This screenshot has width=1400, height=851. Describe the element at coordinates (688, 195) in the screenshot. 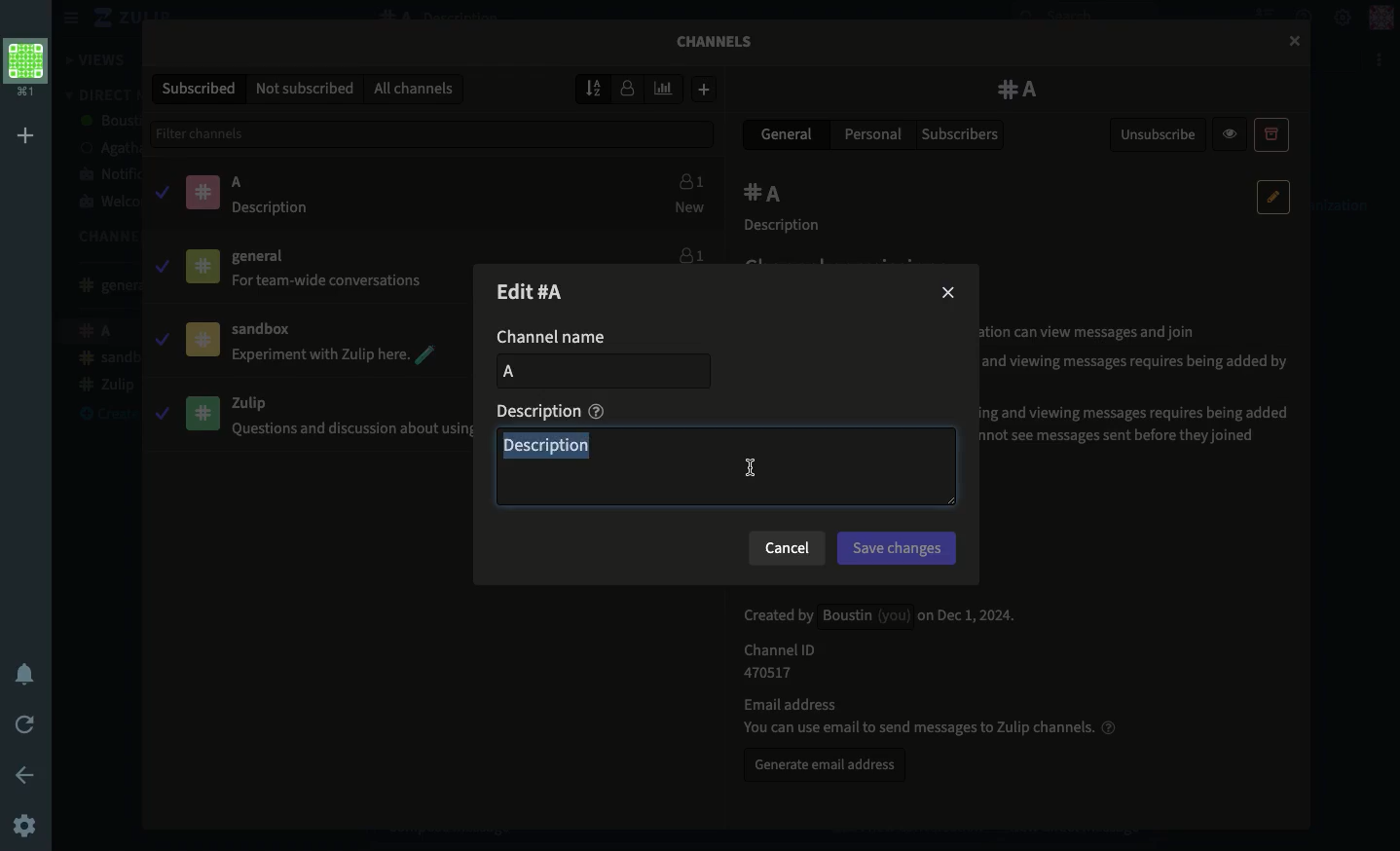

I see `Users` at that location.